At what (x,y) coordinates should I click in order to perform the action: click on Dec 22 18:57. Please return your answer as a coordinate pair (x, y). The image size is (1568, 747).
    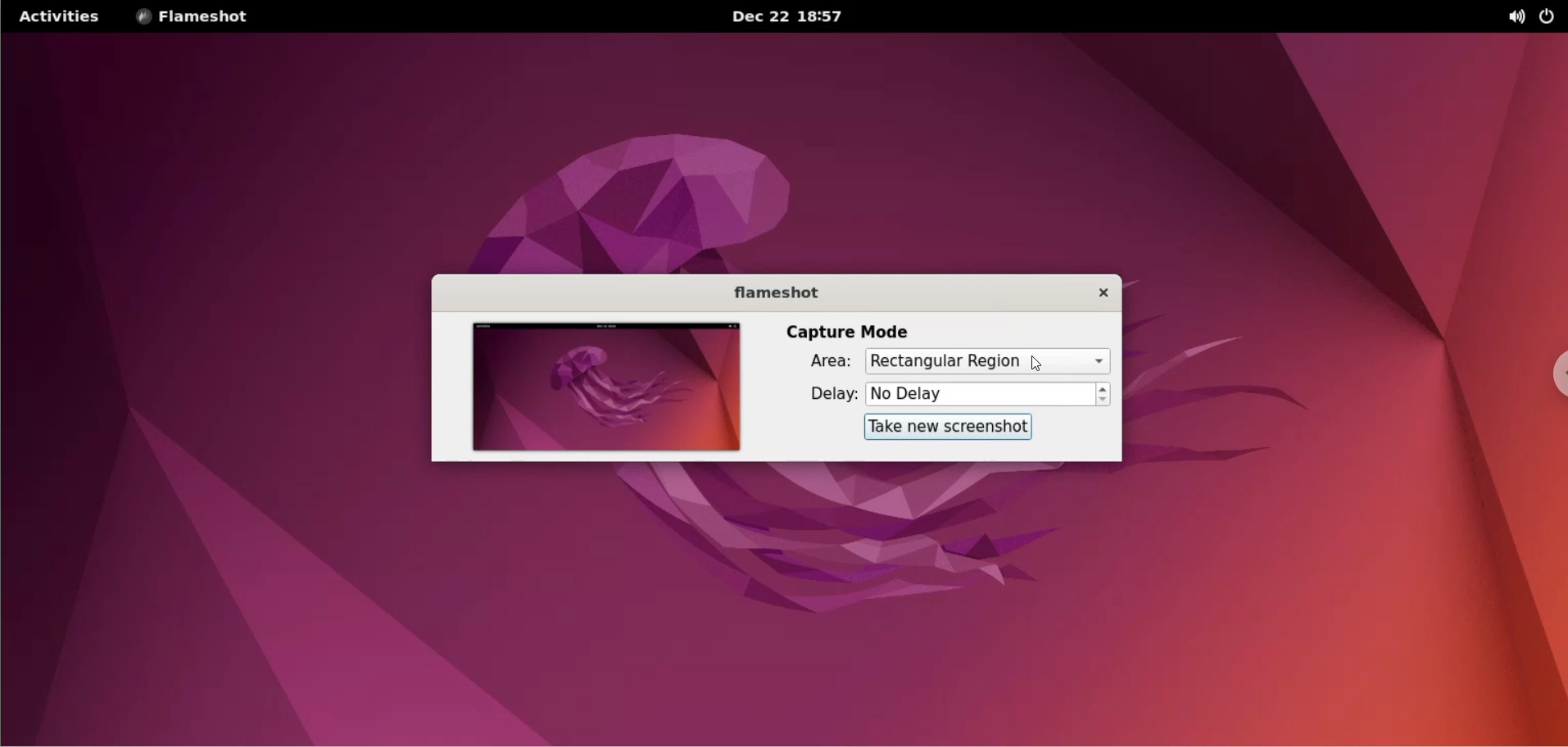
    Looking at the image, I should click on (791, 17).